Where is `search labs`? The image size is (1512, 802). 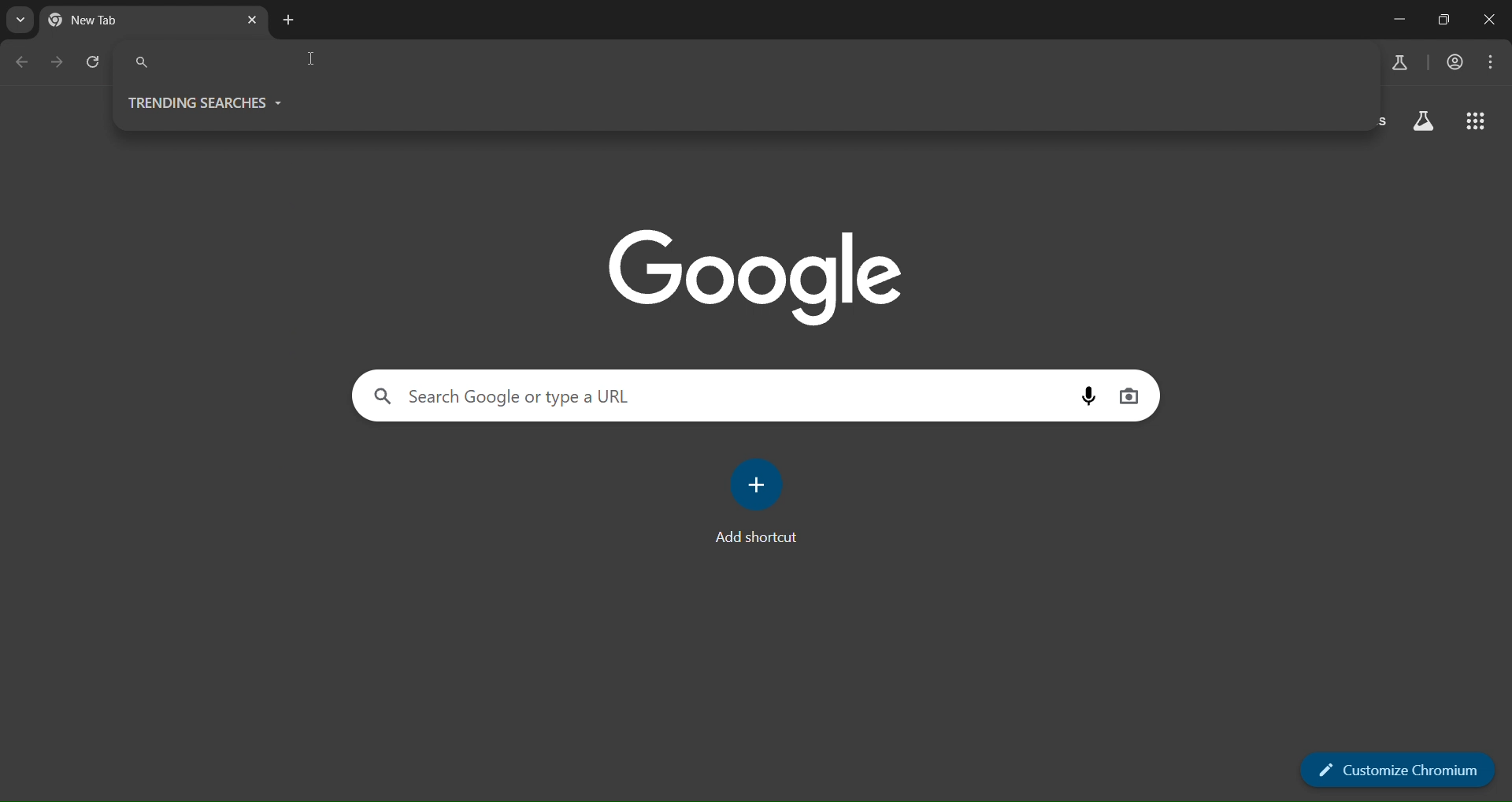
search labs is located at coordinates (1422, 121).